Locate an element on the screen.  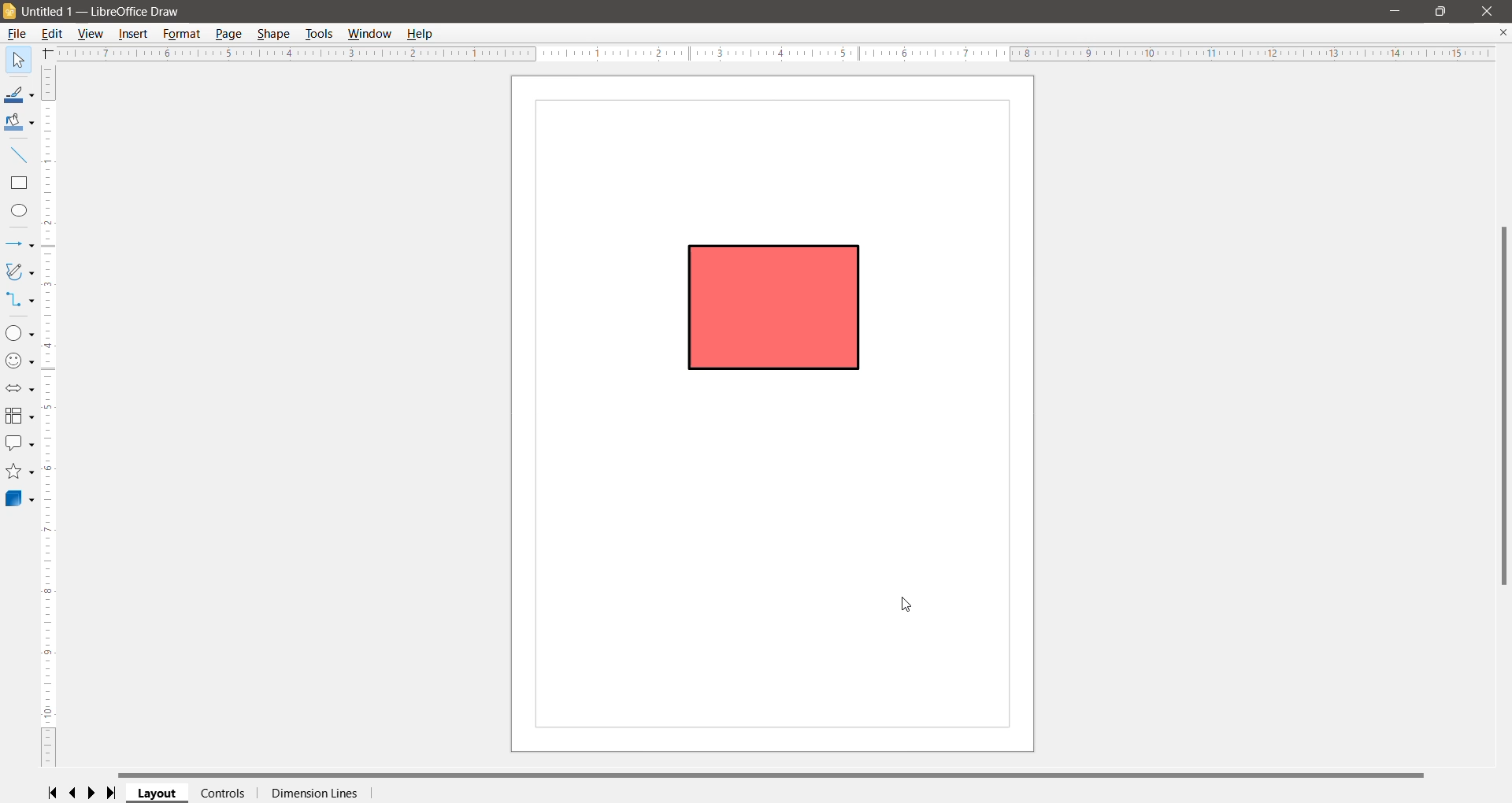
Close is located at coordinates (1488, 12).